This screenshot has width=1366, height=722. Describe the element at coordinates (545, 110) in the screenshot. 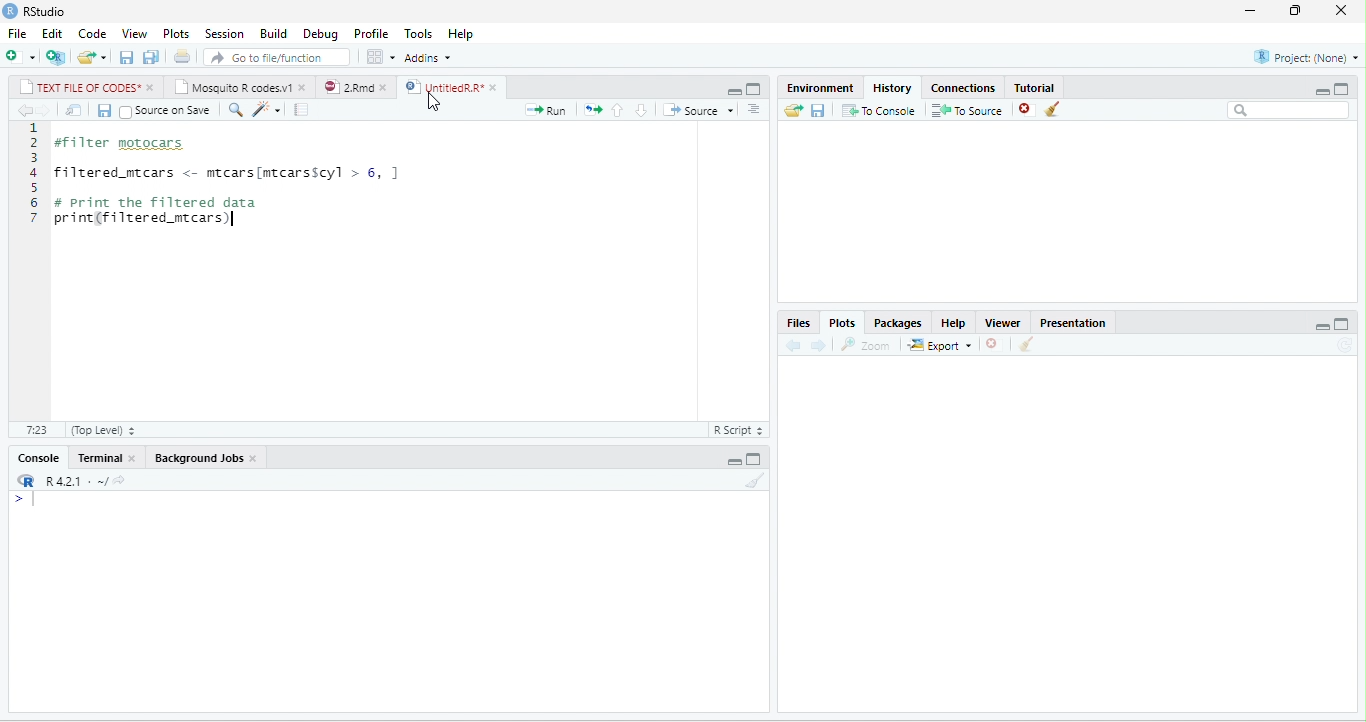

I see `Run` at that location.